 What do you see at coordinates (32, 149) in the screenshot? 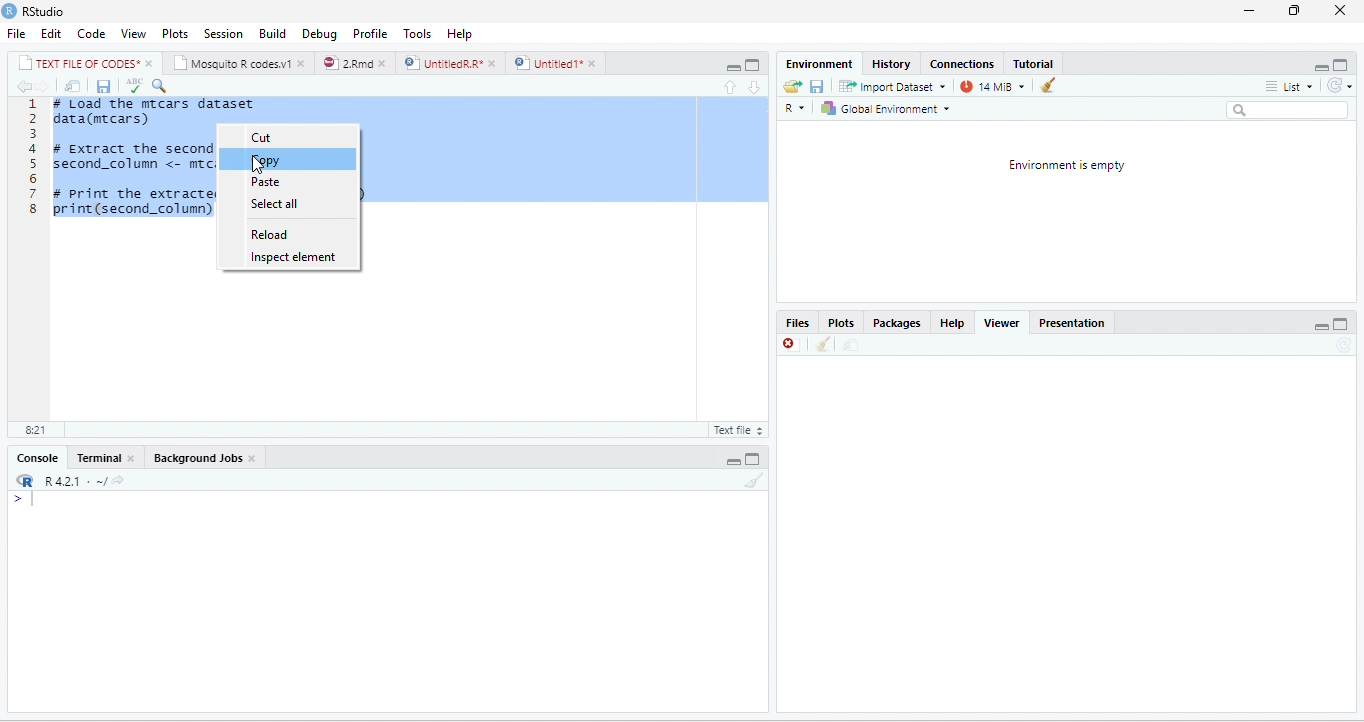
I see `4` at bounding box center [32, 149].